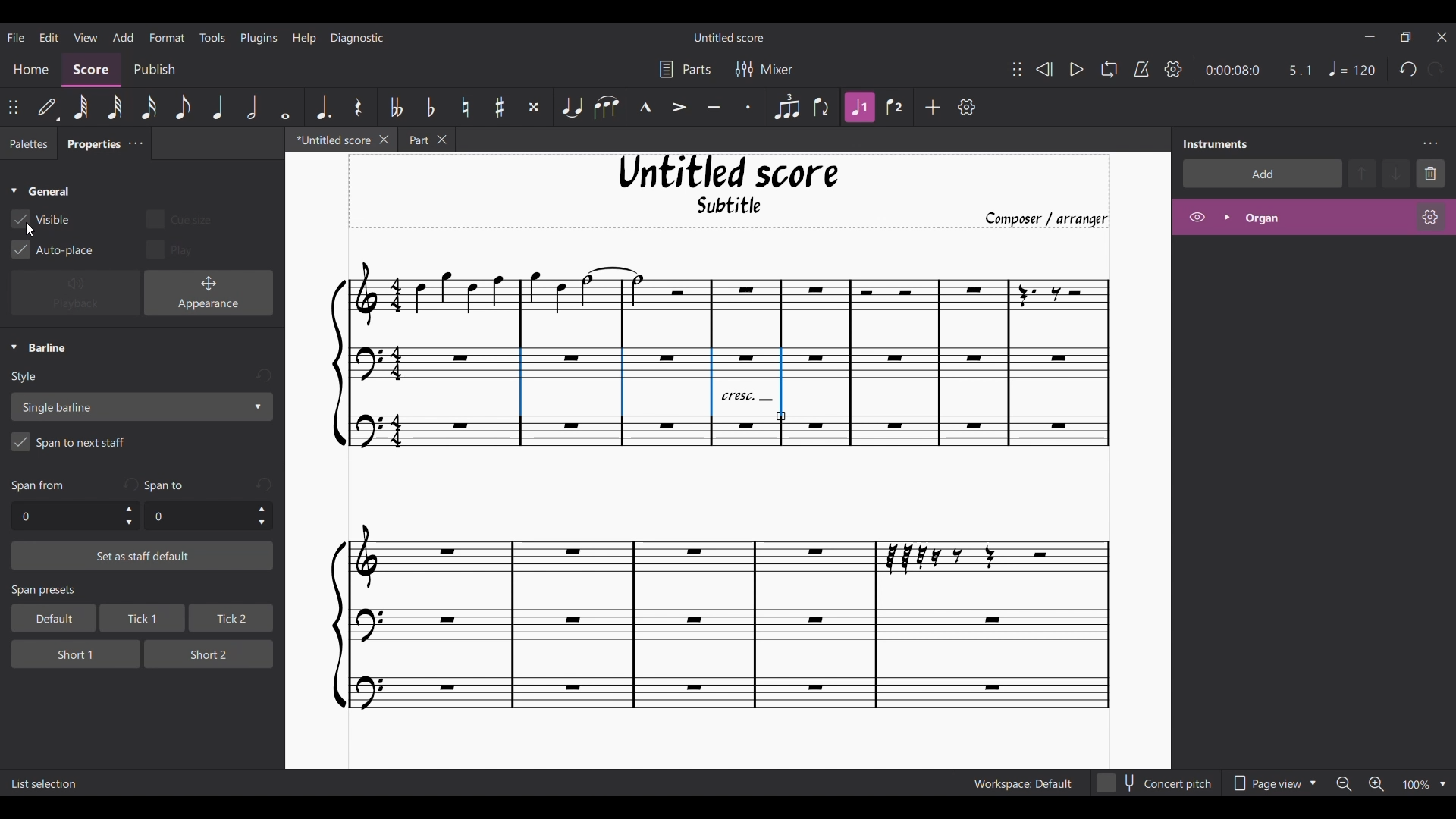 The width and height of the screenshot is (1456, 819). I want to click on Collapse Barline, so click(39, 348).